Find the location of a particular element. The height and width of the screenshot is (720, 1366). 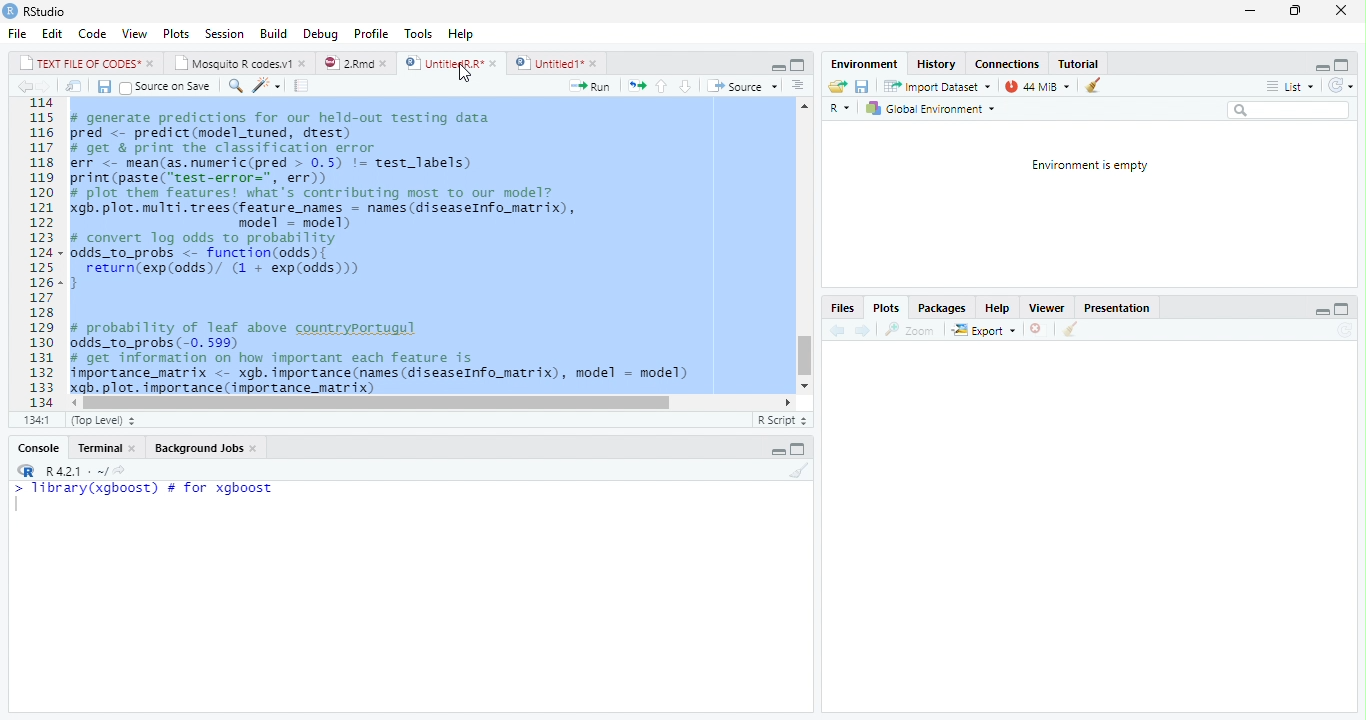

Re-run is located at coordinates (633, 84).